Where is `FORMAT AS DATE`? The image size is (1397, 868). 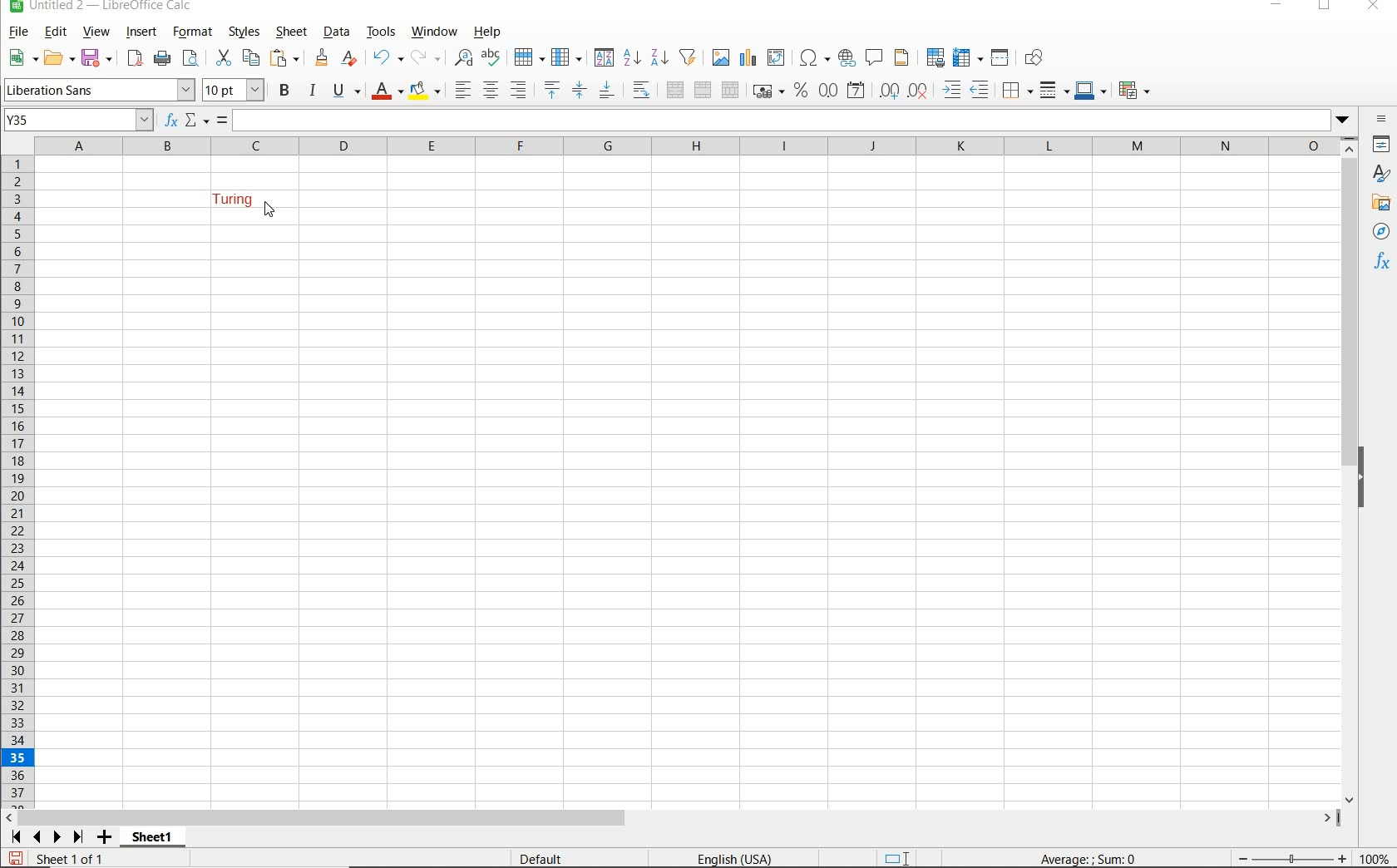
FORMAT AS DATE is located at coordinates (856, 91).